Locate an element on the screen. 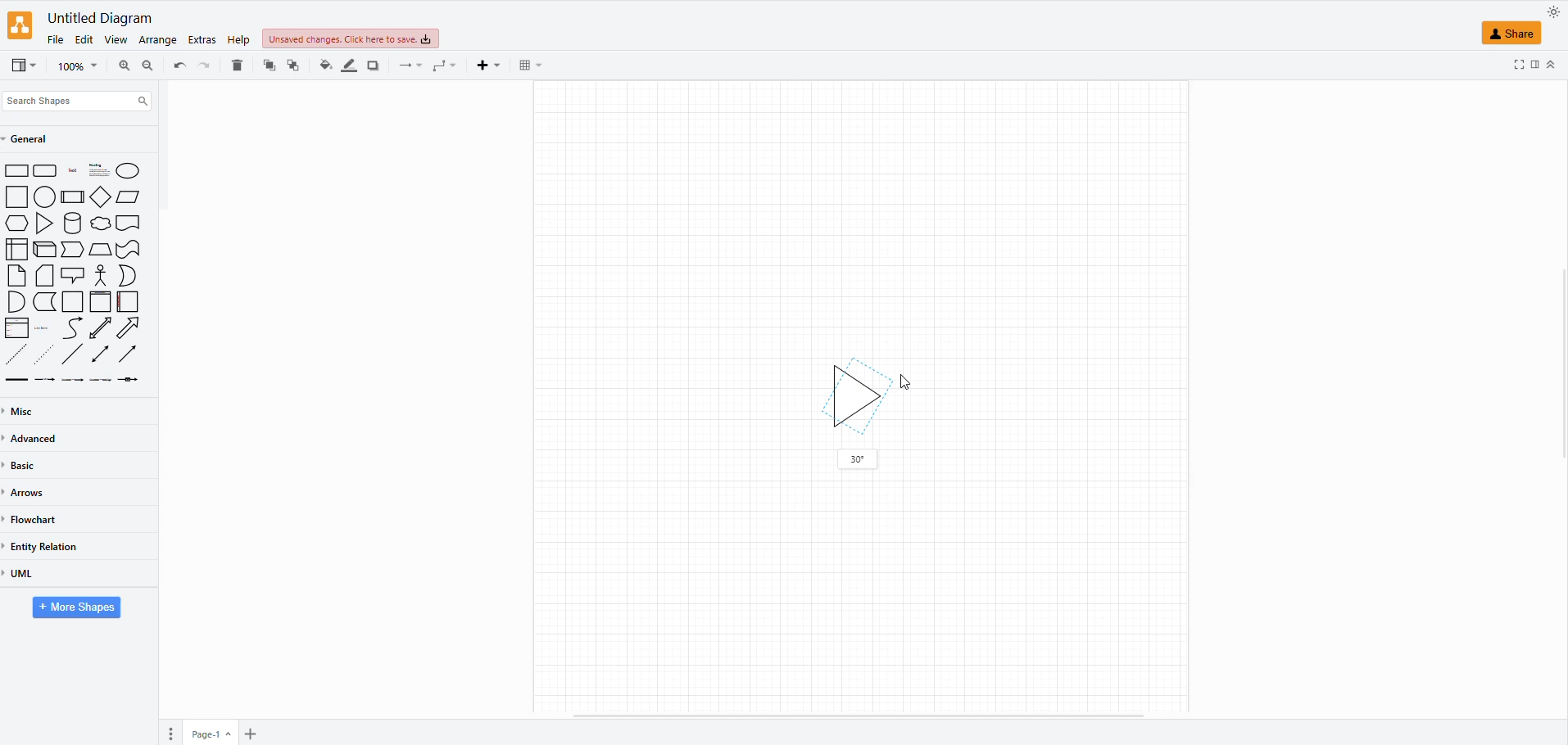  Rectangle is located at coordinates (16, 196).